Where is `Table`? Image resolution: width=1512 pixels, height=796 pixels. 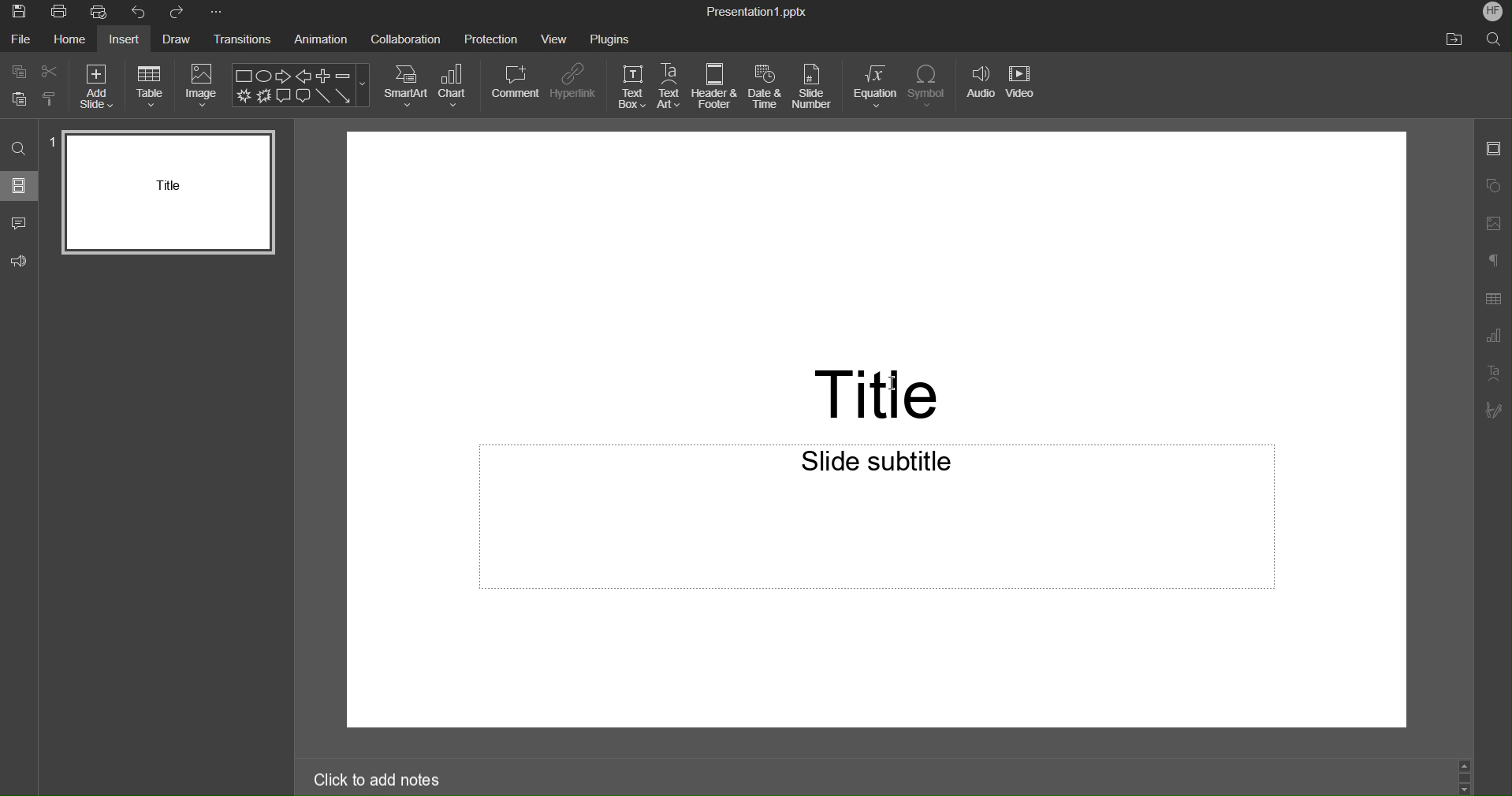
Table is located at coordinates (1492, 300).